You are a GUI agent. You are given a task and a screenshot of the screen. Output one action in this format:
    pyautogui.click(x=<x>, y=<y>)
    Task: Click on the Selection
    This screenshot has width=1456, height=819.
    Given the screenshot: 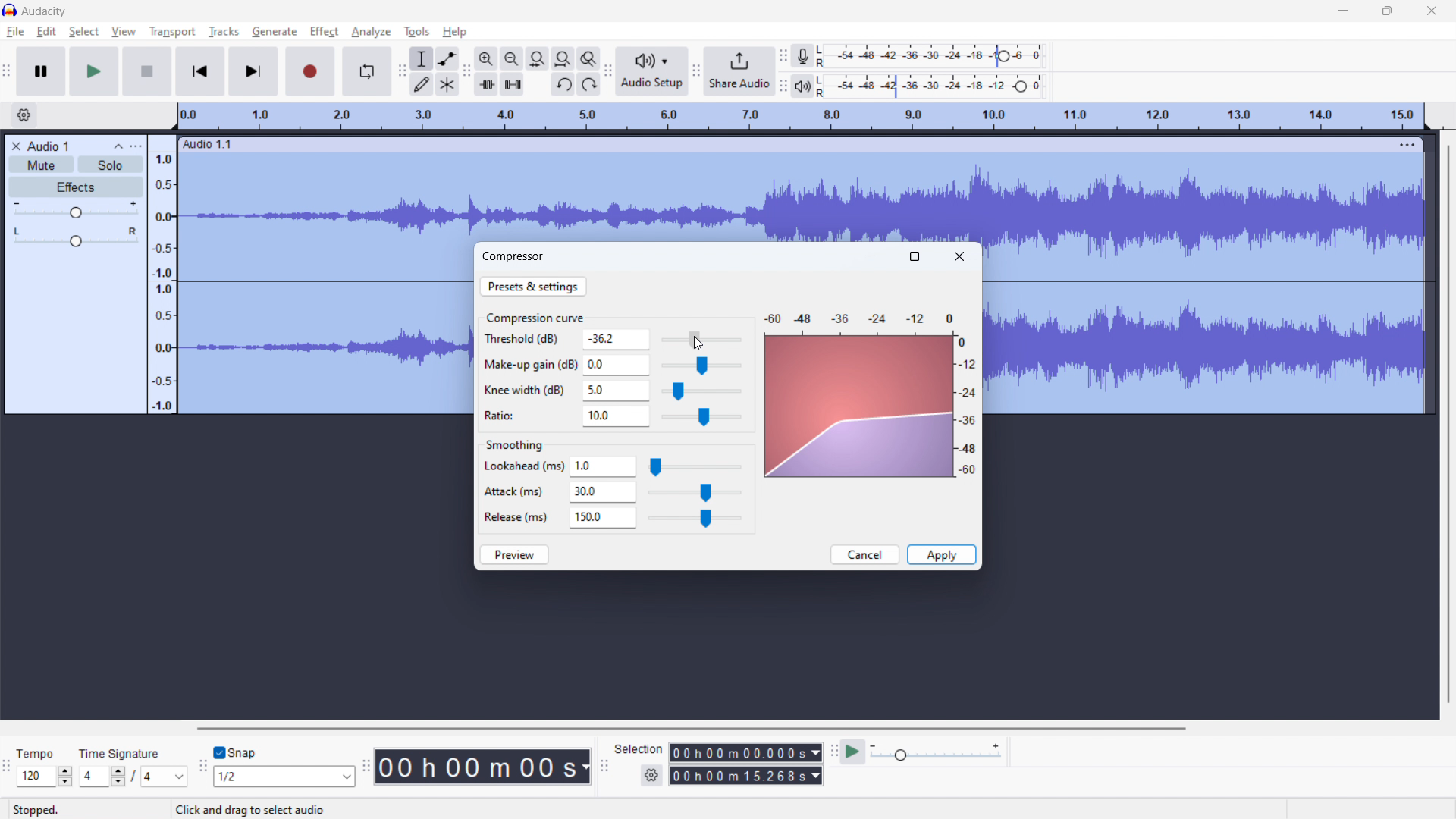 What is the action you would take?
    pyautogui.click(x=639, y=747)
    